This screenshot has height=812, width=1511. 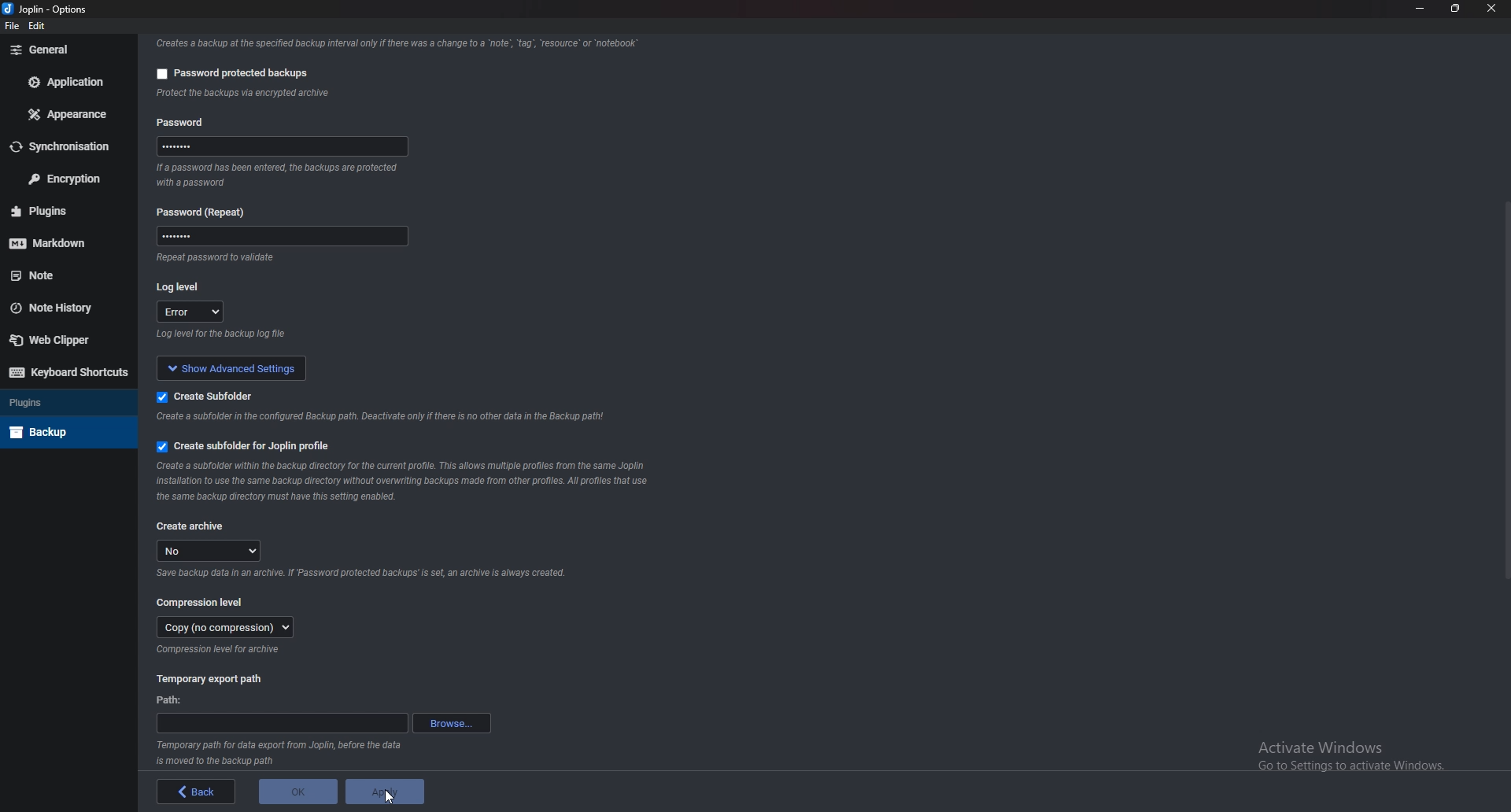 What do you see at coordinates (223, 629) in the screenshot?
I see `copy (no compression)` at bounding box center [223, 629].